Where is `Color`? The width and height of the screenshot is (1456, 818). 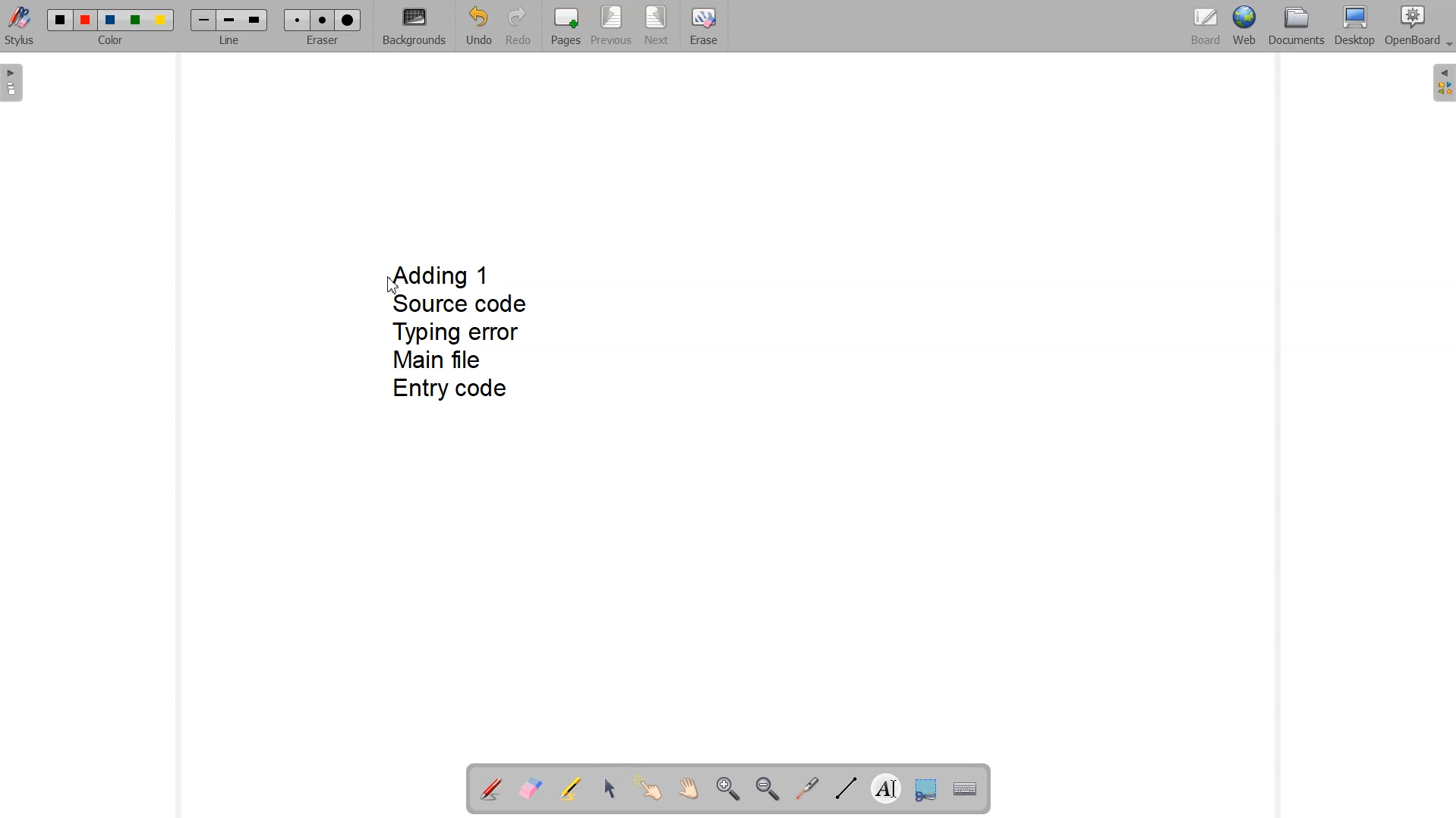
Color is located at coordinates (113, 42).